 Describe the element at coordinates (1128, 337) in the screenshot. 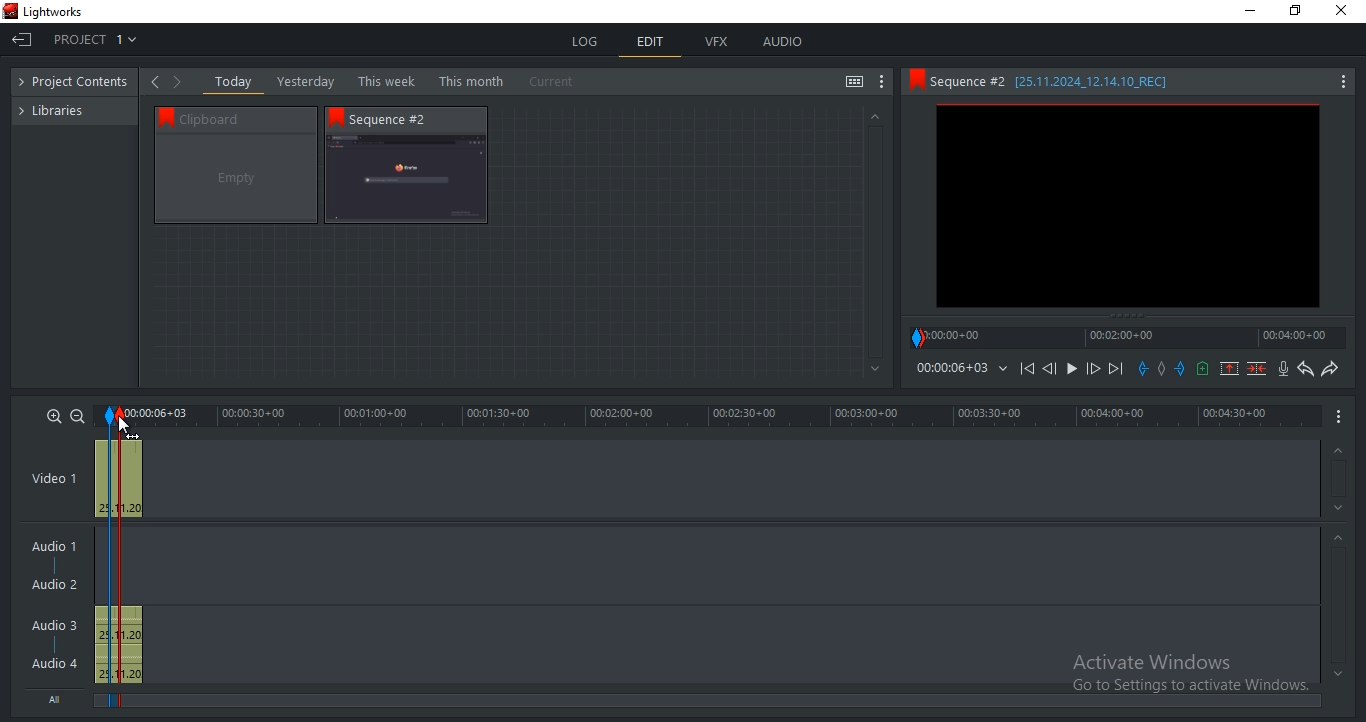

I see `timeline` at that location.